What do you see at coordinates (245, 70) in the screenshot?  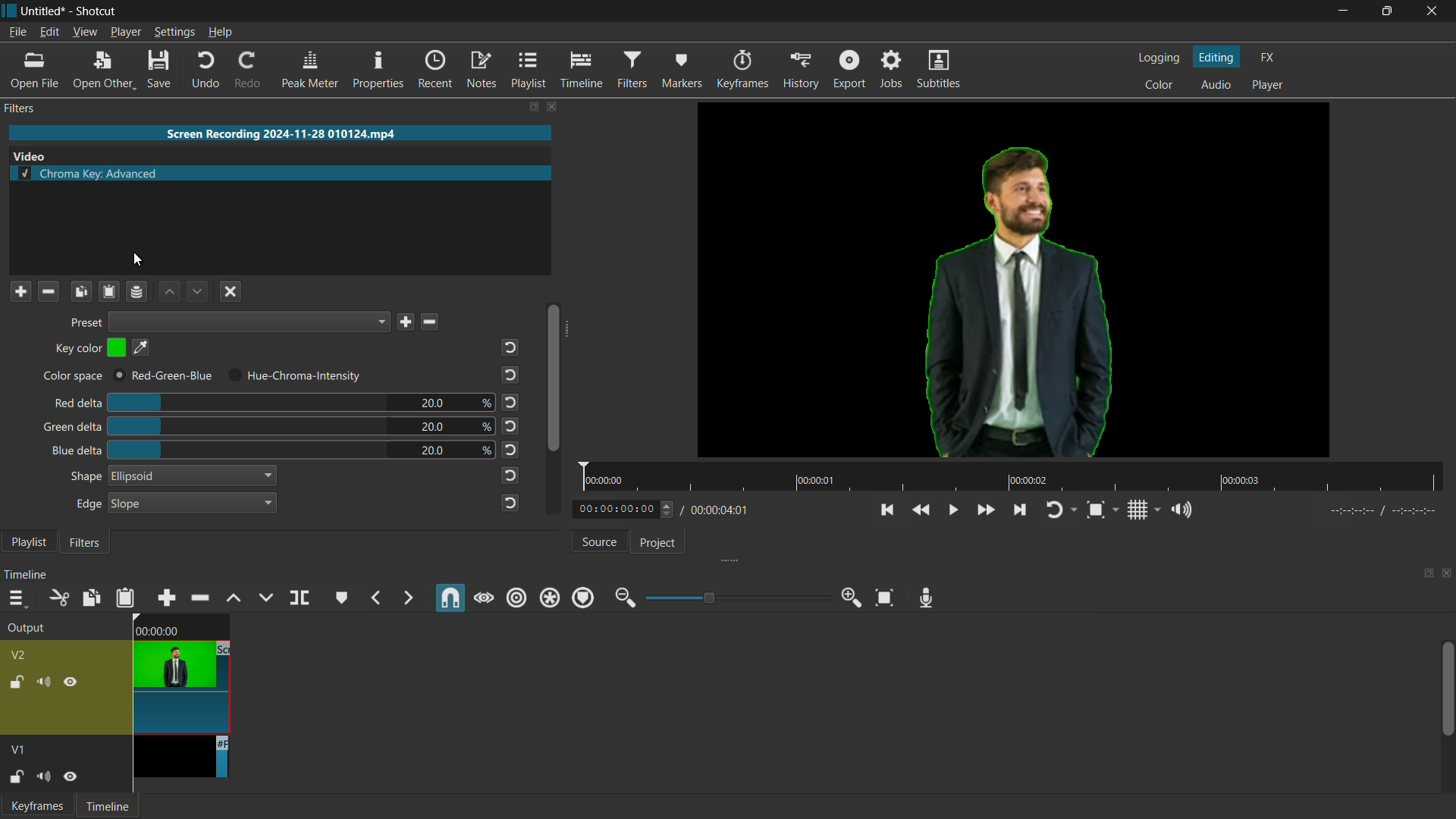 I see `redo` at bounding box center [245, 70].